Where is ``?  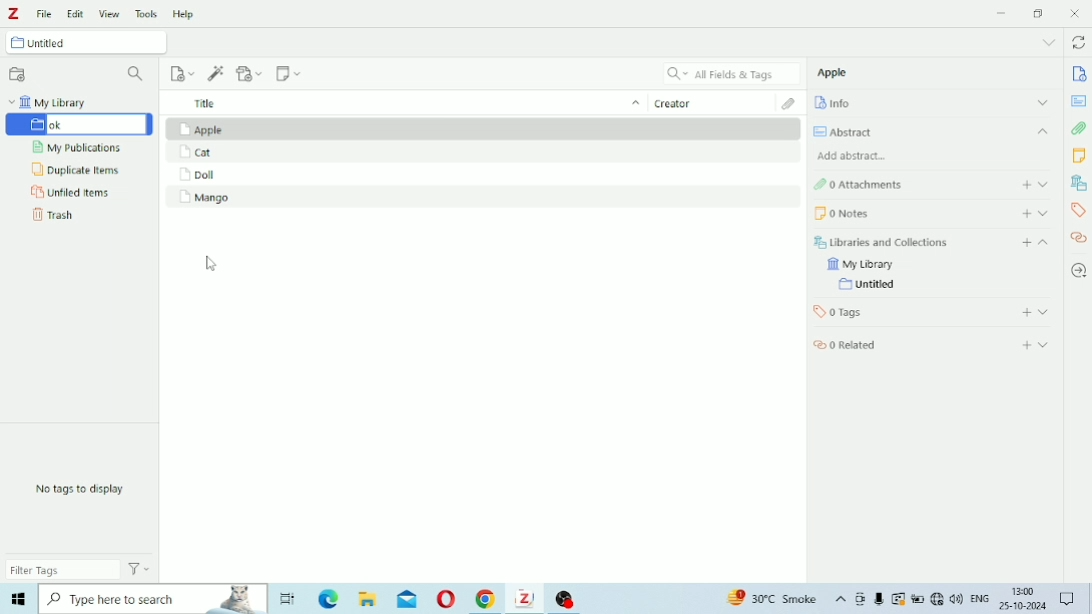  is located at coordinates (766, 597).